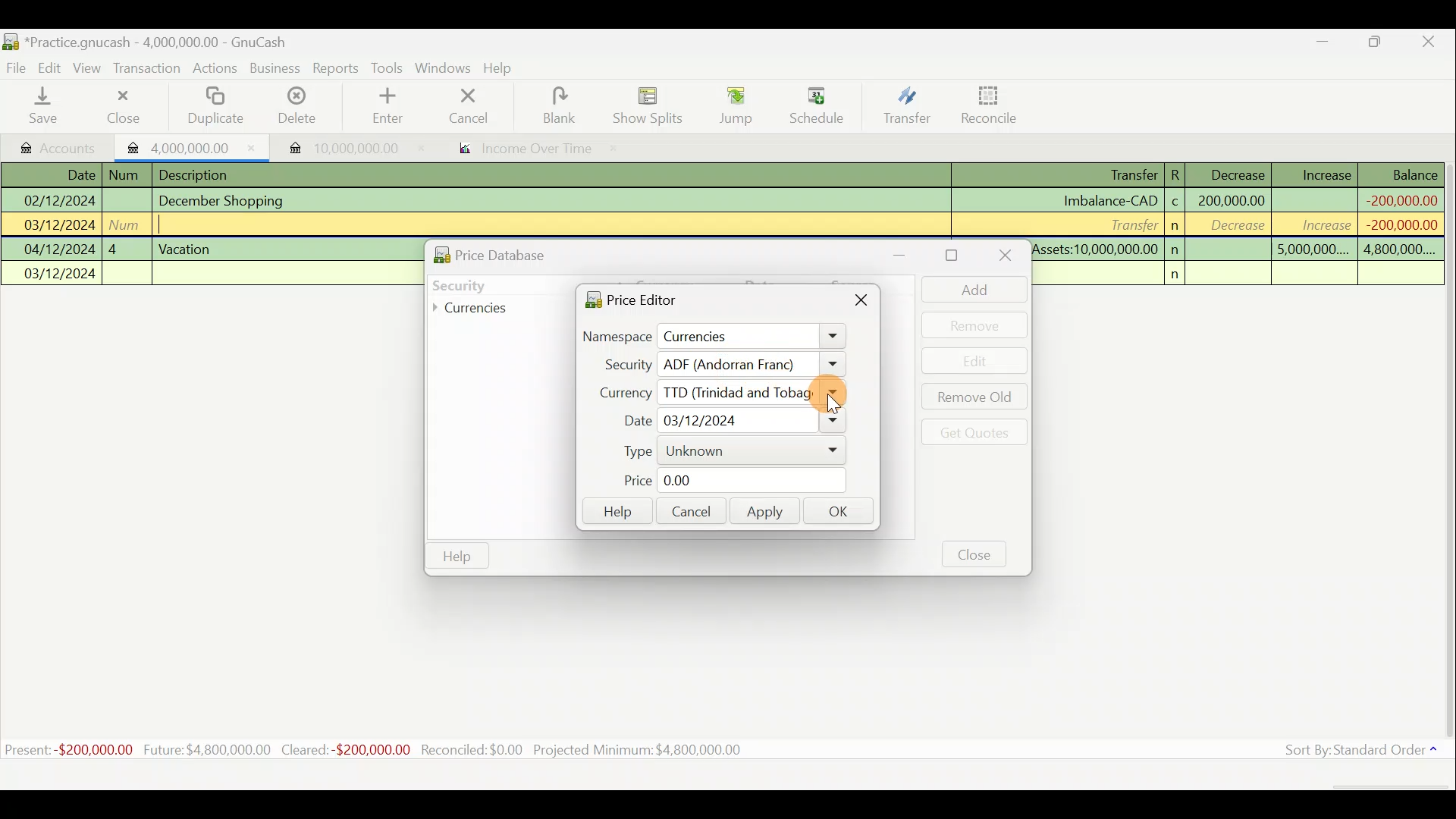  I want to click on Save, so click(46, 107).